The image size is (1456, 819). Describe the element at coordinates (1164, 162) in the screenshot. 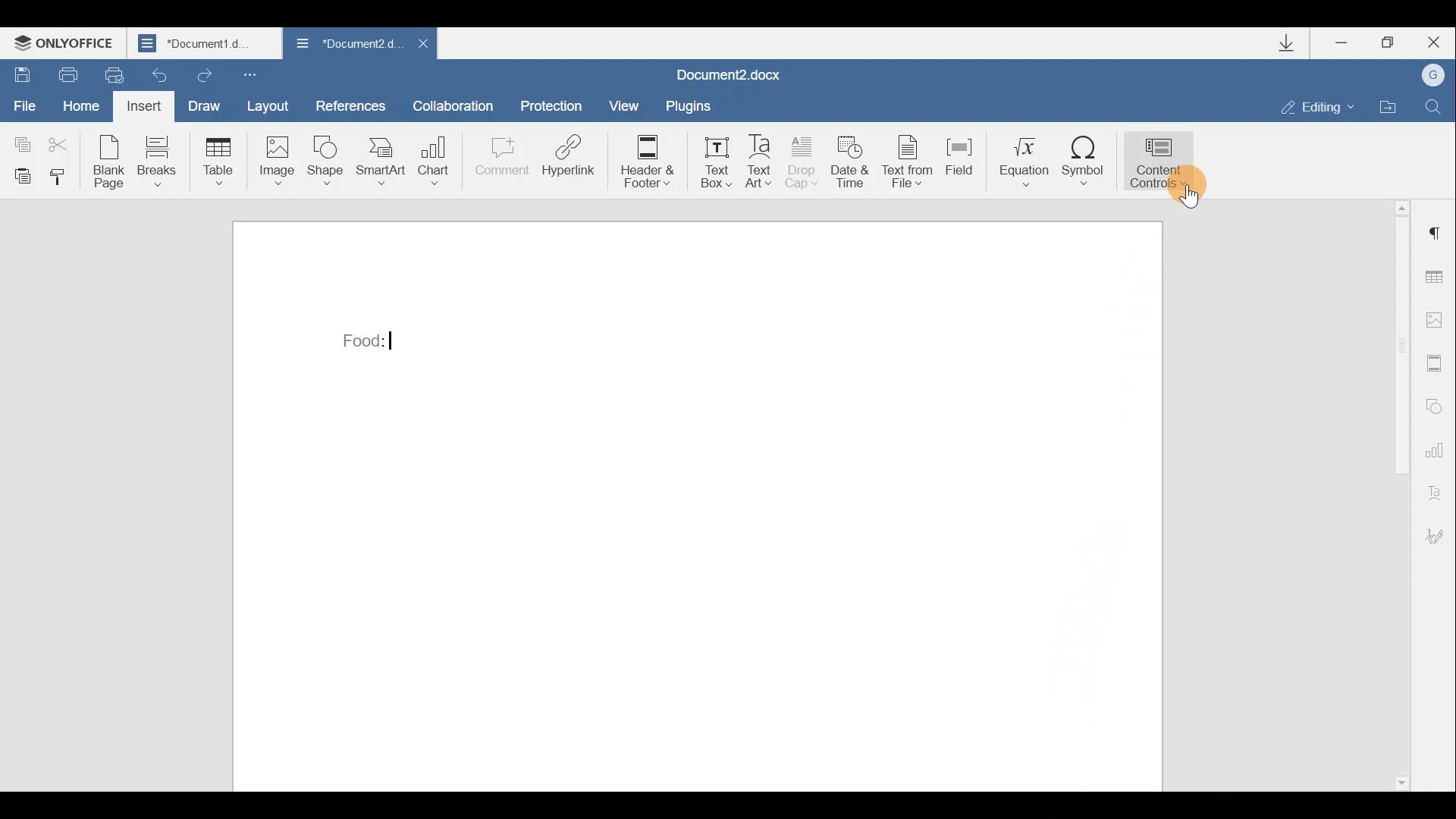

I see `Content controls` at that location.